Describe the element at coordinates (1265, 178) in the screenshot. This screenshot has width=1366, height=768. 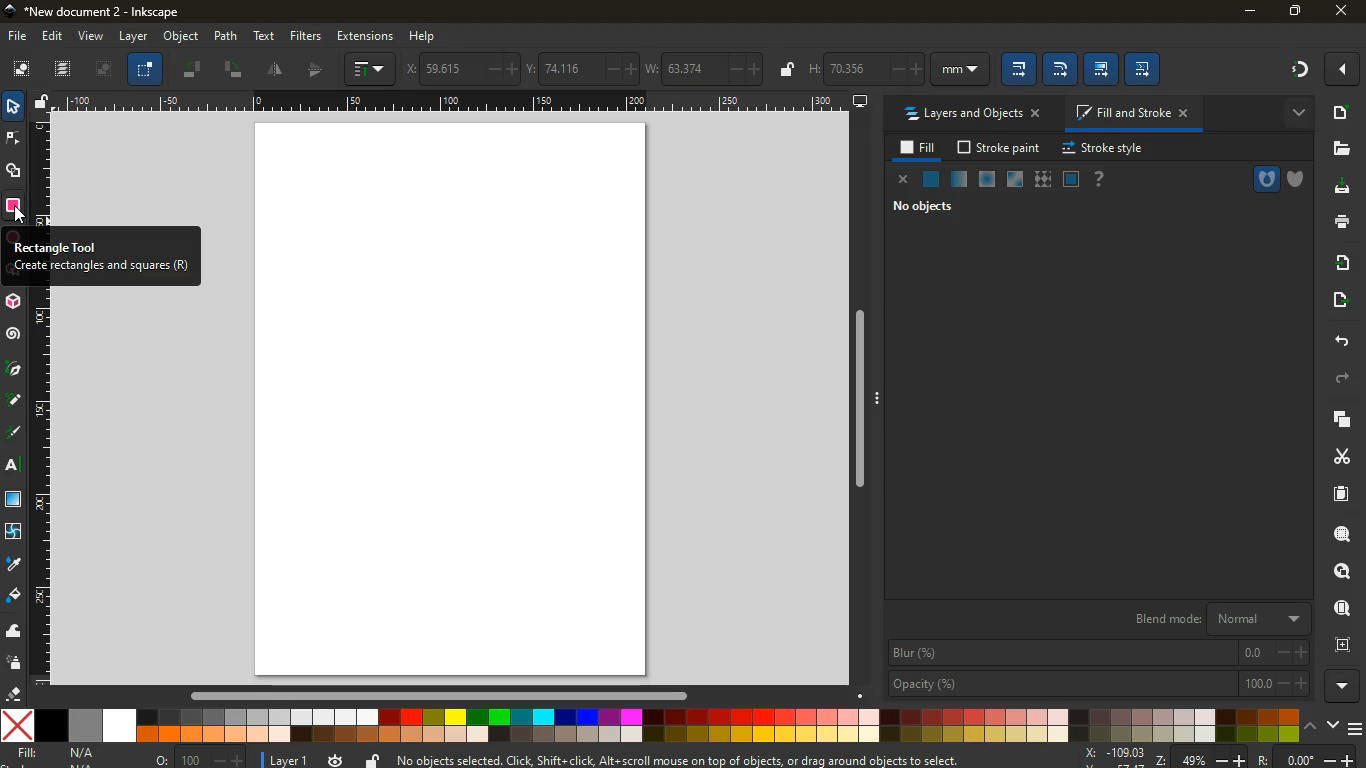
I see `hole` at that location.